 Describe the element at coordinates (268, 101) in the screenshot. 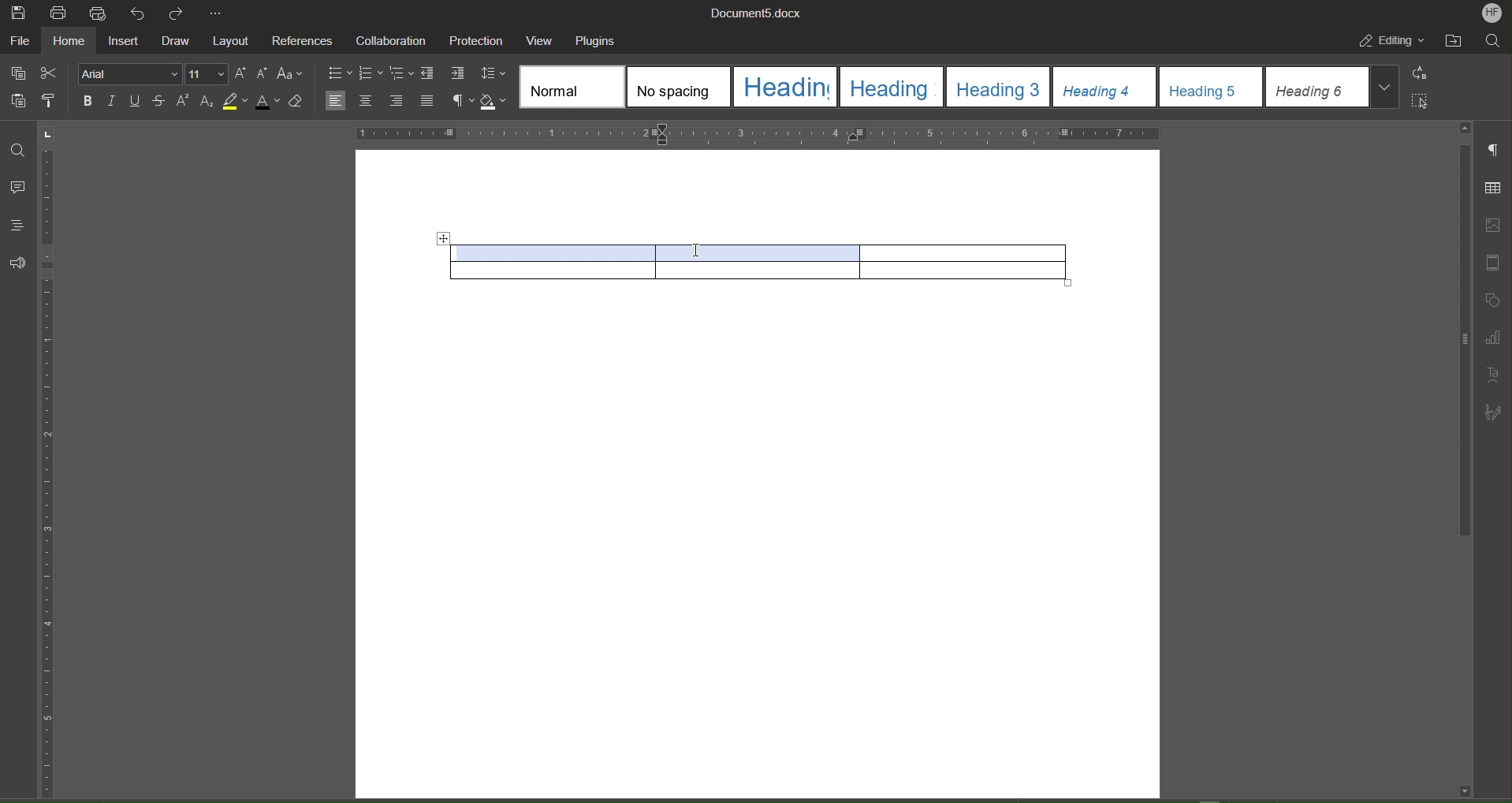

I see `Text Color` at that location.